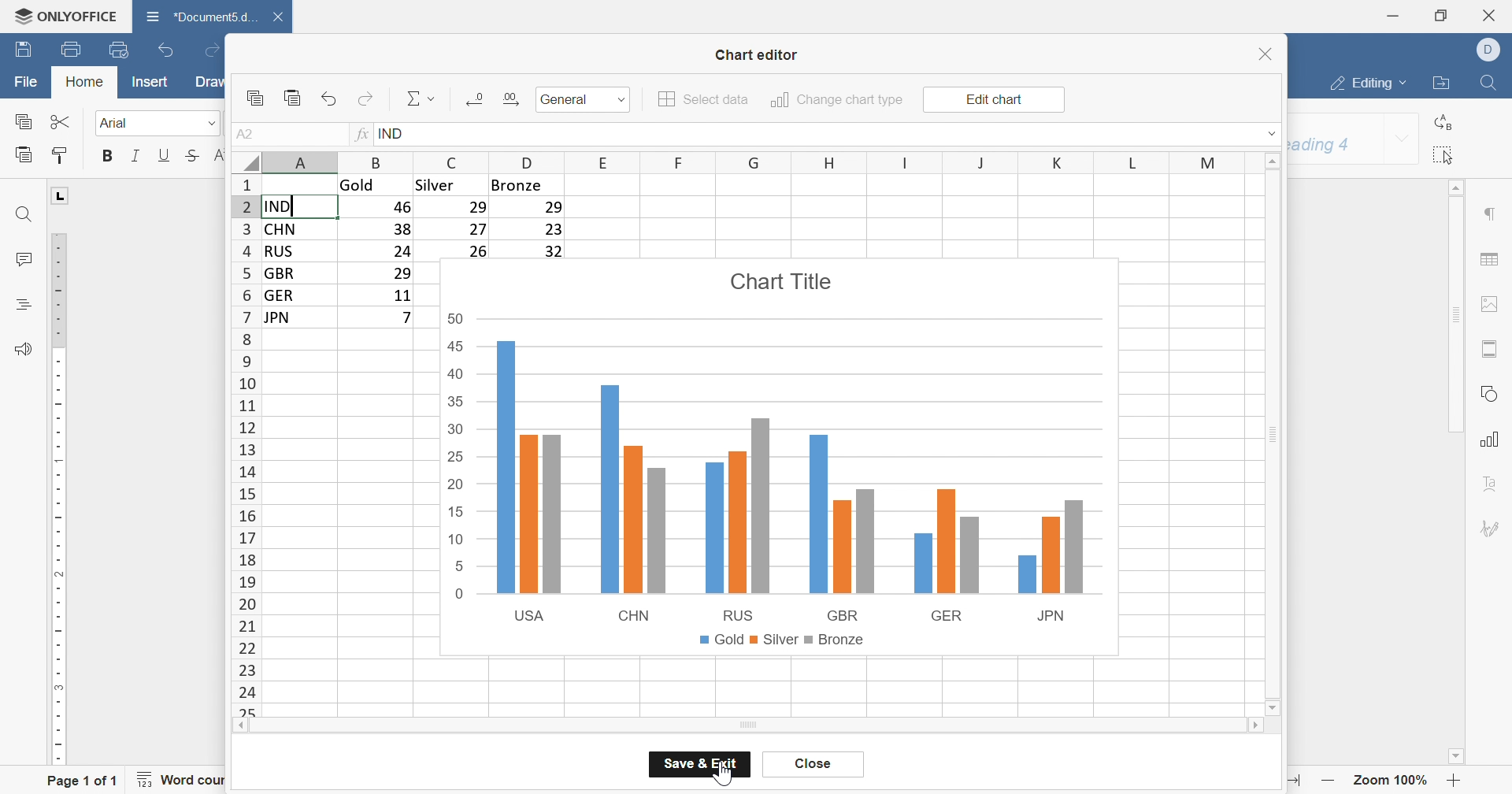 This screenshot has height=794, width=1512. Describe the element at coordinates (56, 499) in the screenshot. I see `ruler` at that location.